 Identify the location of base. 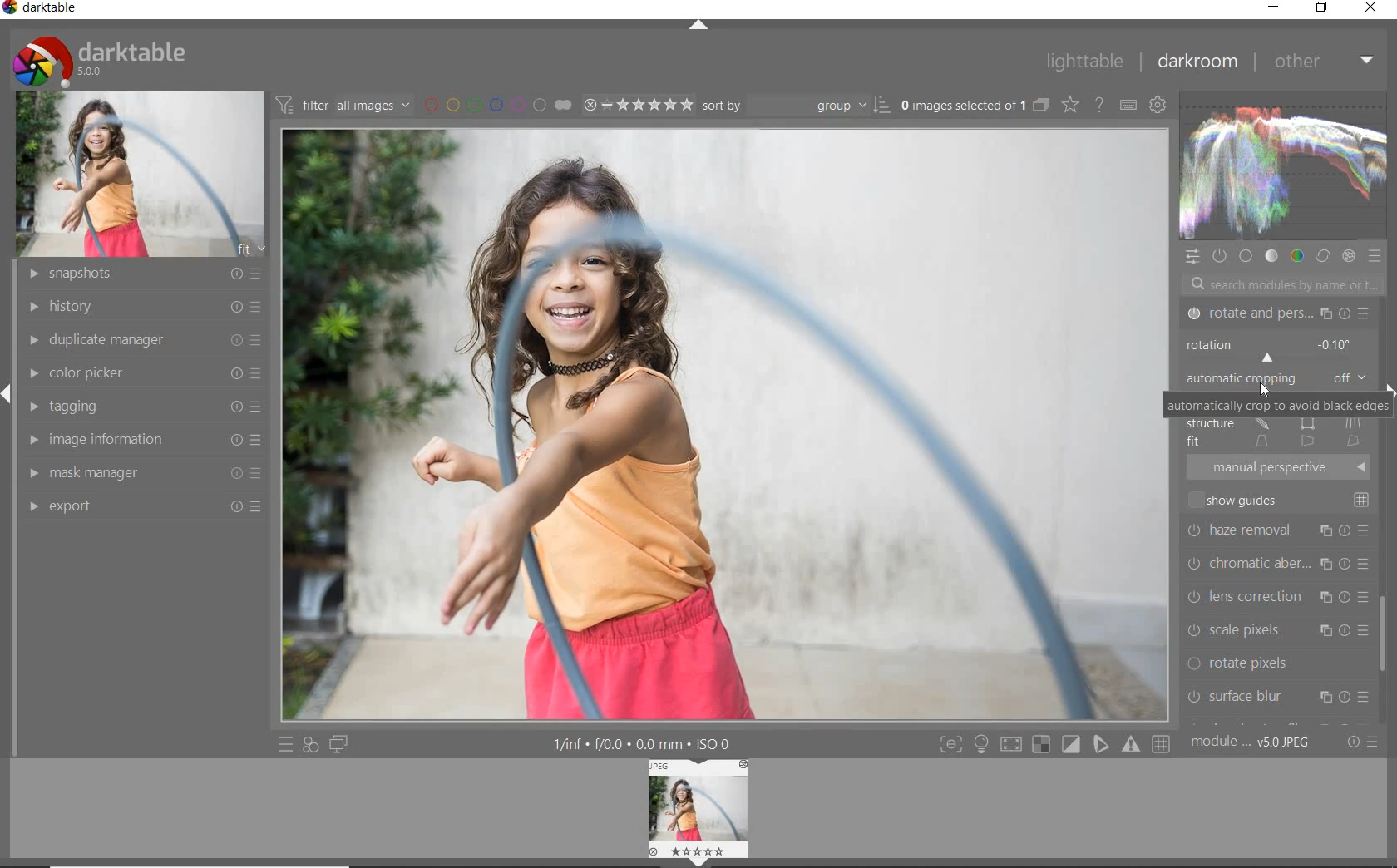
(1246, 257).